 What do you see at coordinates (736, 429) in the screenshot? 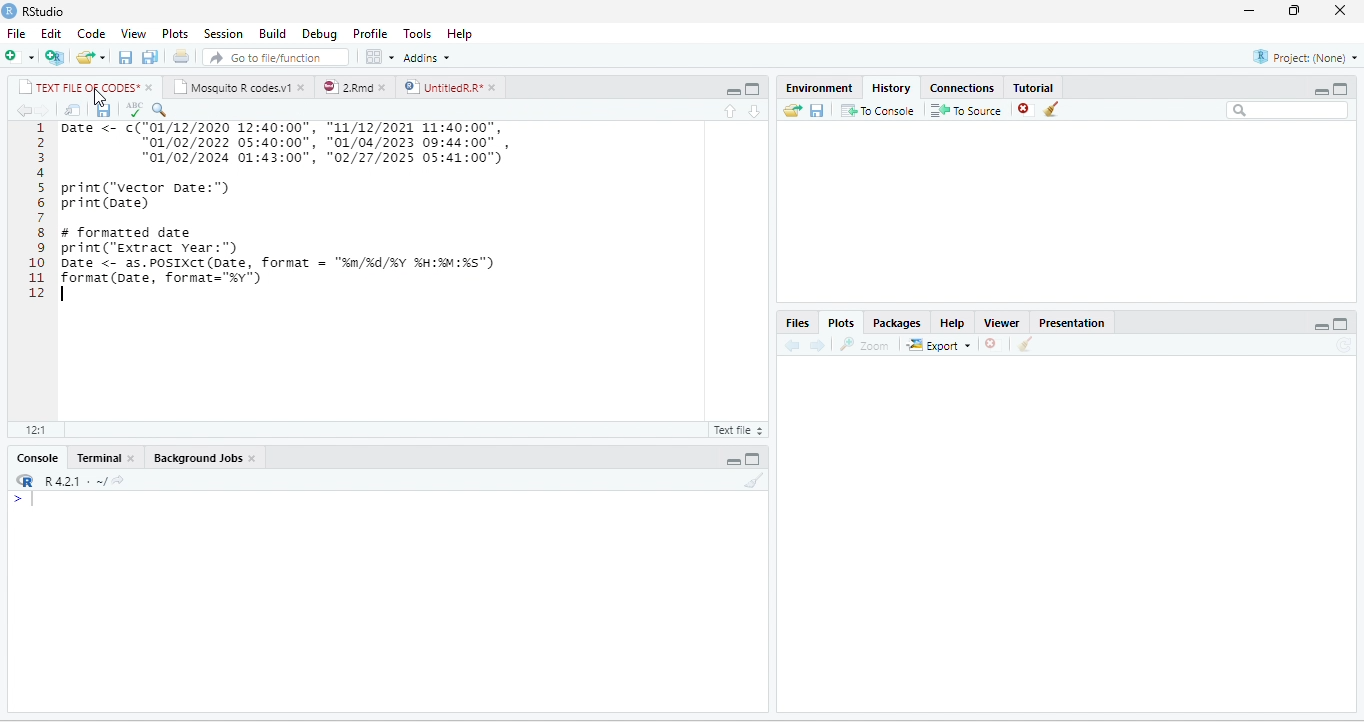
I see `R Script` at bounding box center [736, 429].